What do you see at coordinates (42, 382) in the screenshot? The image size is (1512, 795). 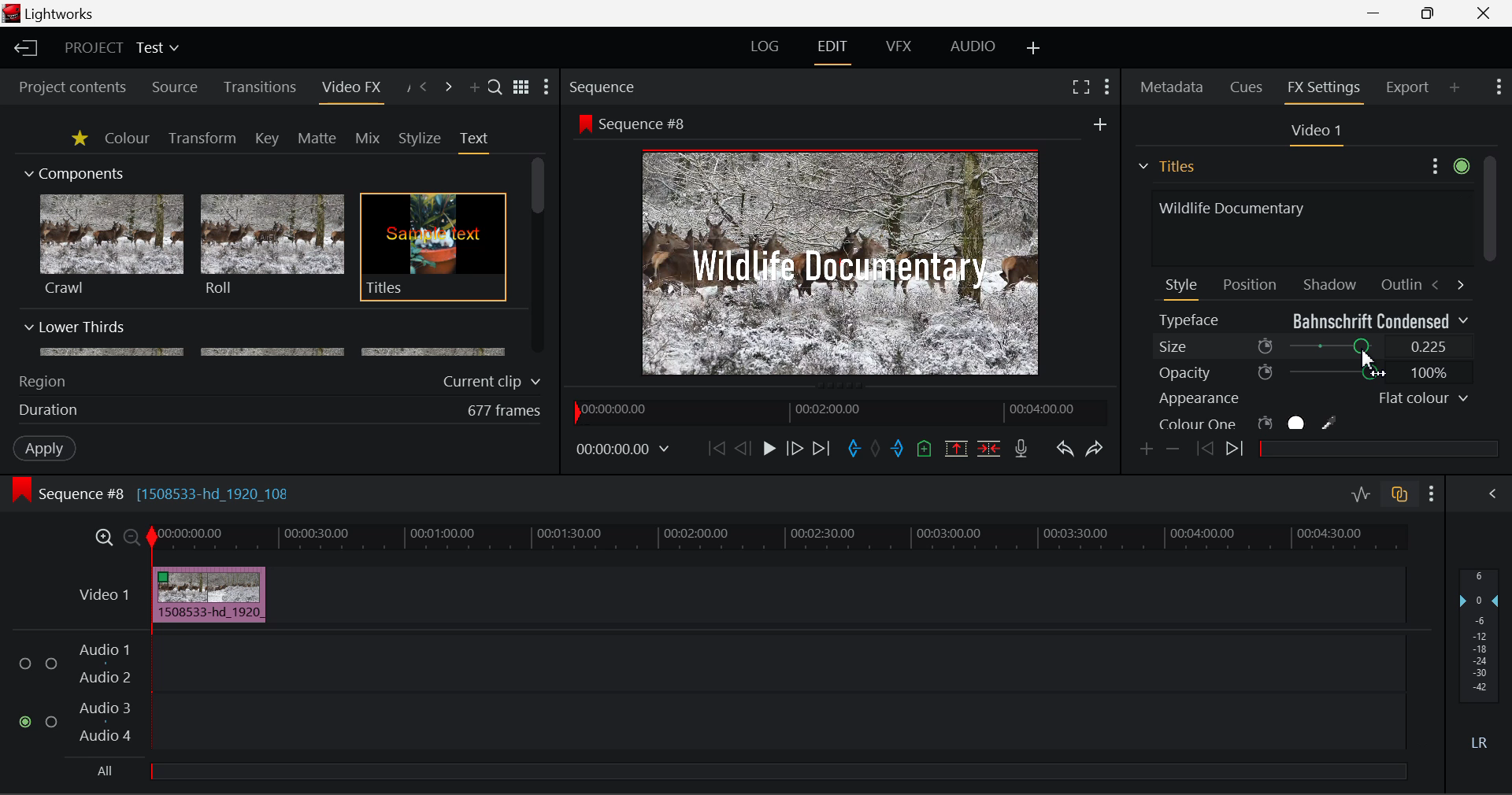 I see `Region` at bounding box center [42, 382].